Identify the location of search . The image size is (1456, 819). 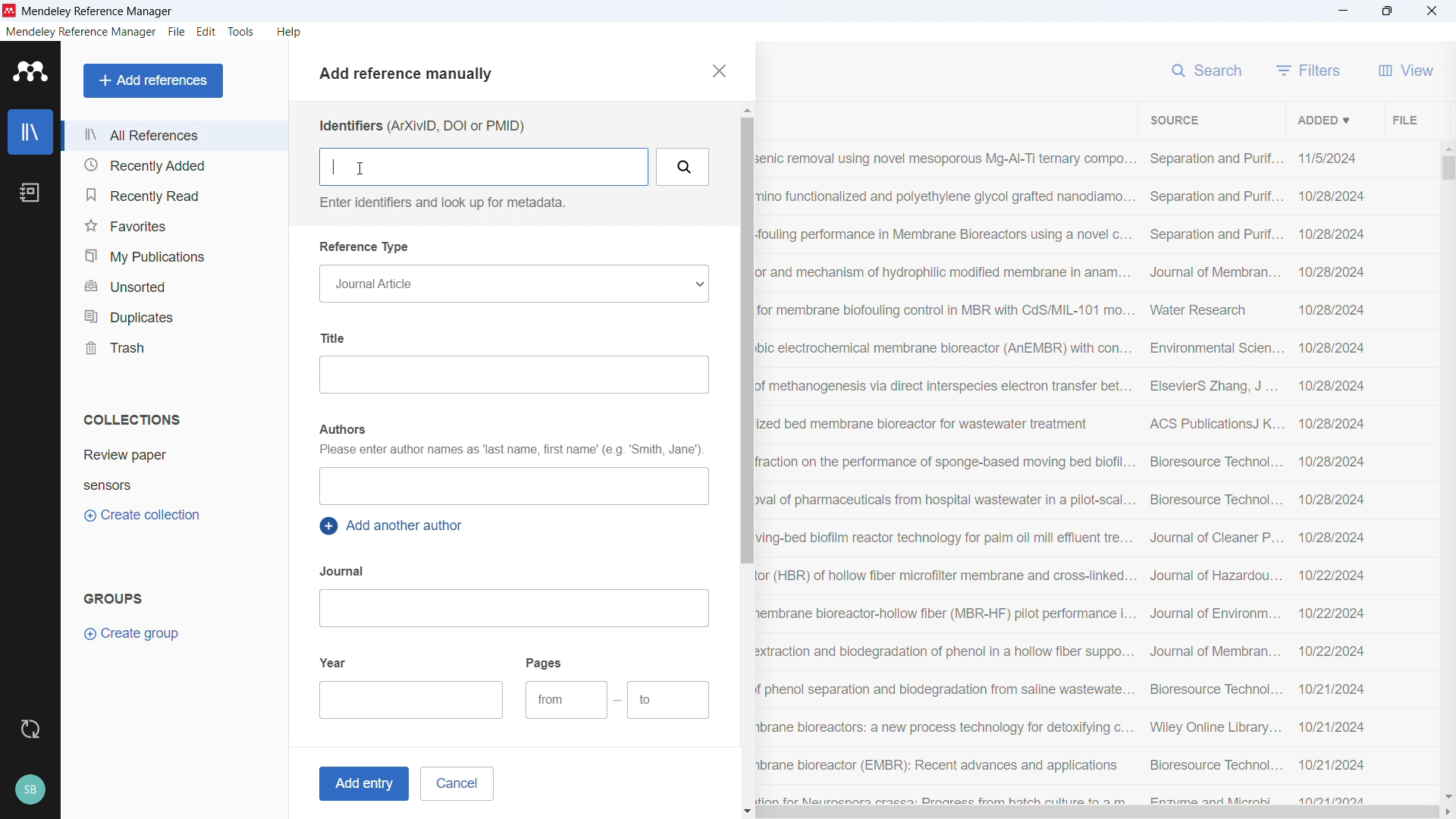
(1209, 68).